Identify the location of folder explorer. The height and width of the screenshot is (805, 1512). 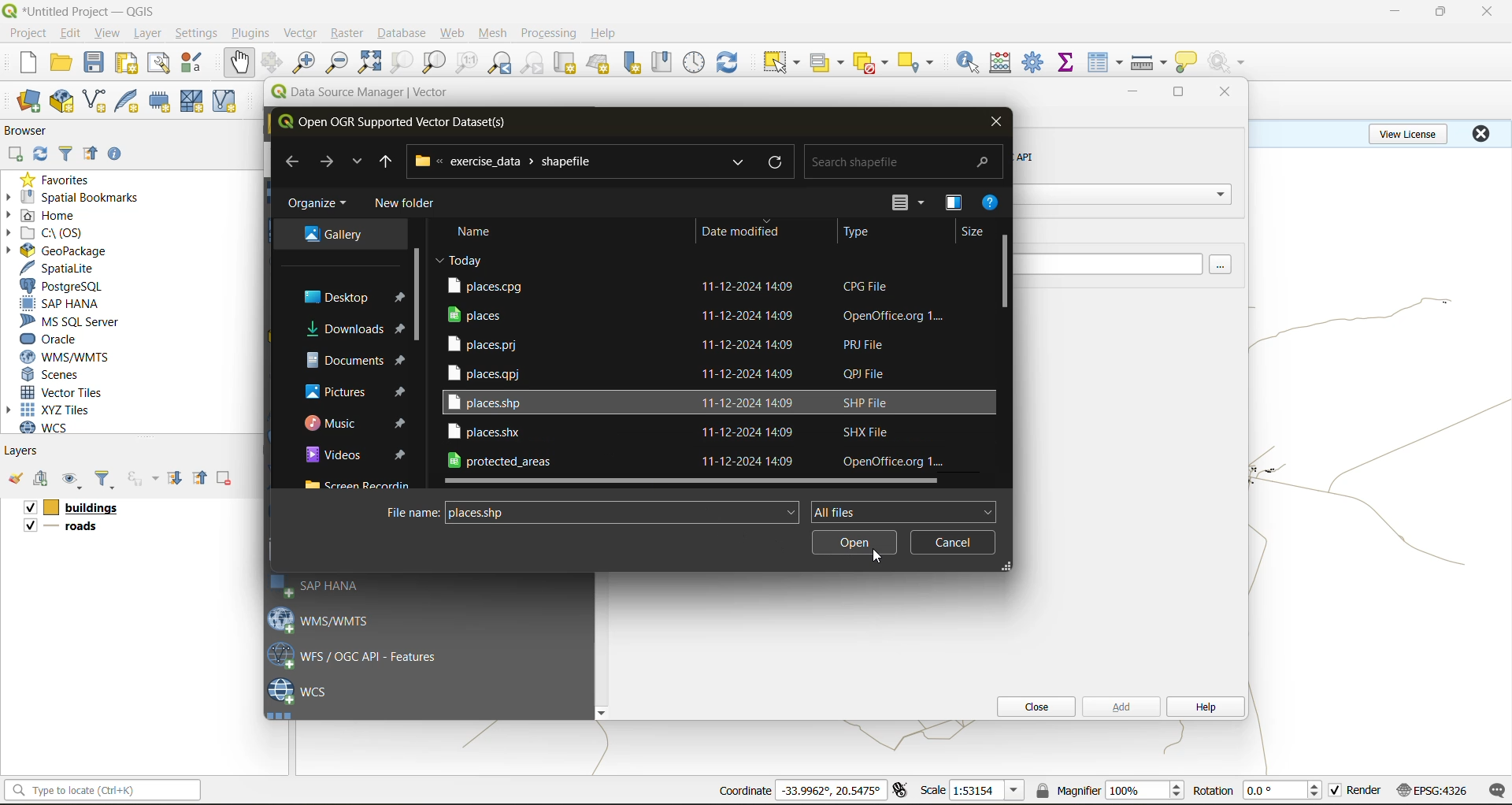
(356, 360).